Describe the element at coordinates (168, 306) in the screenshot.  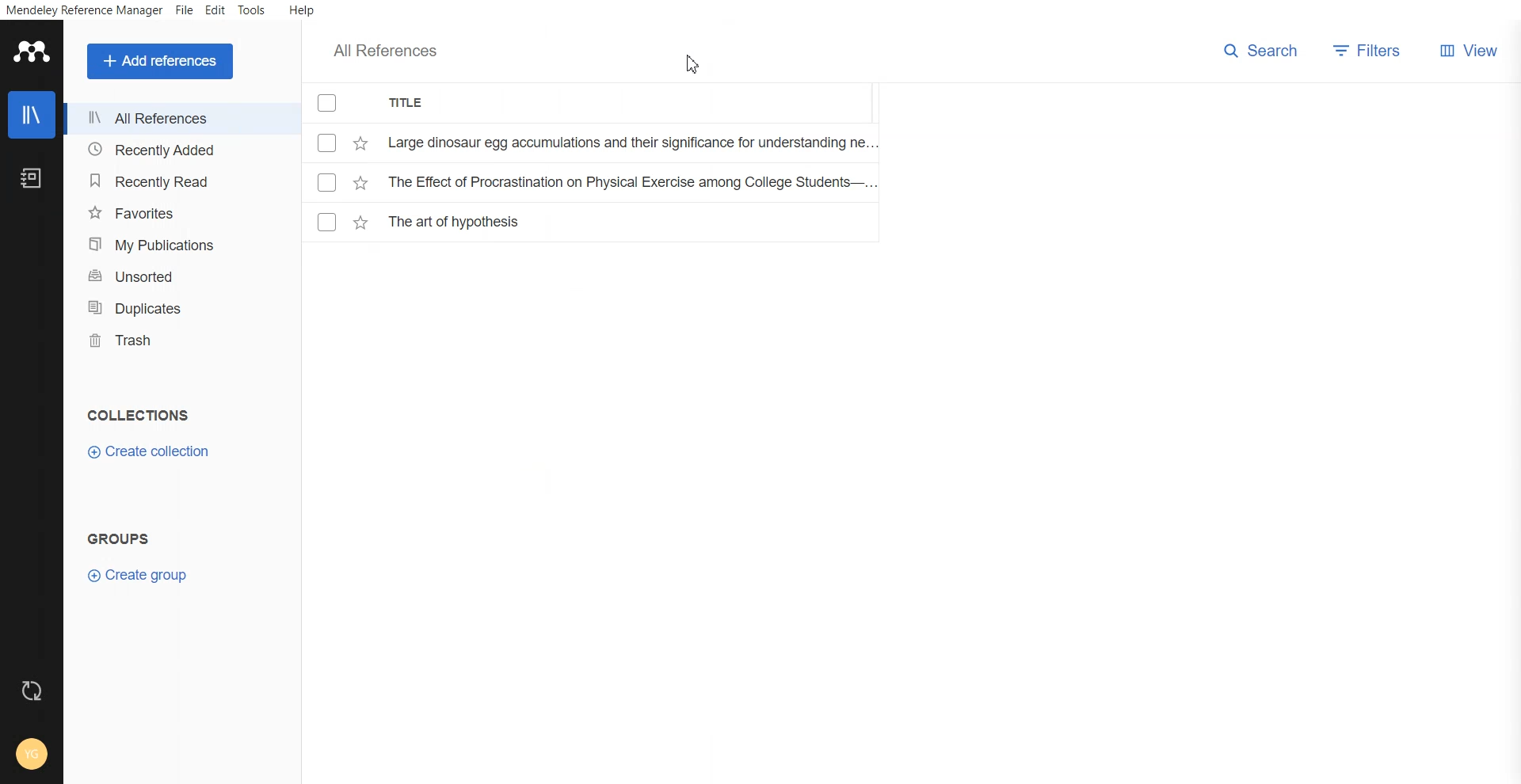
I see `Duplicates` at that location.